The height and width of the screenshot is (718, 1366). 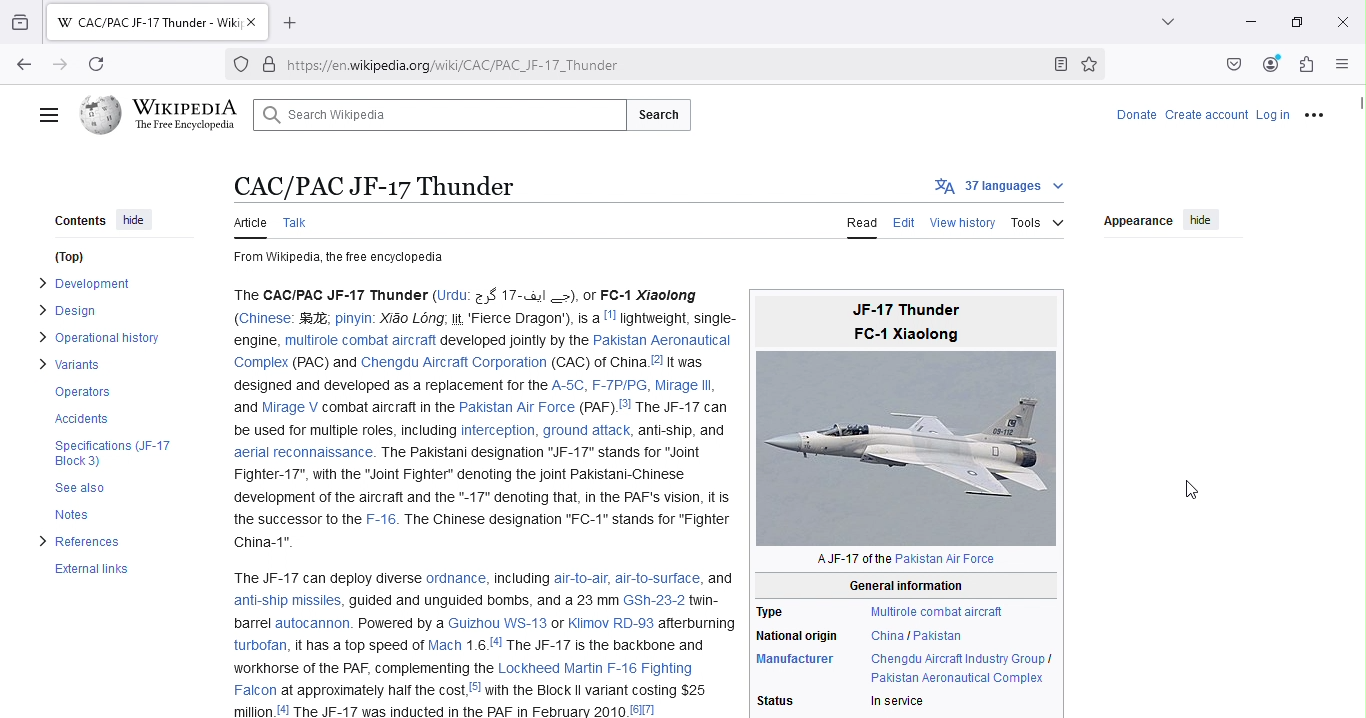 What do you see at coordinates (431, 112) in the screenshot?
I see `Search Wikipedia` at bounding box center [431, 112].